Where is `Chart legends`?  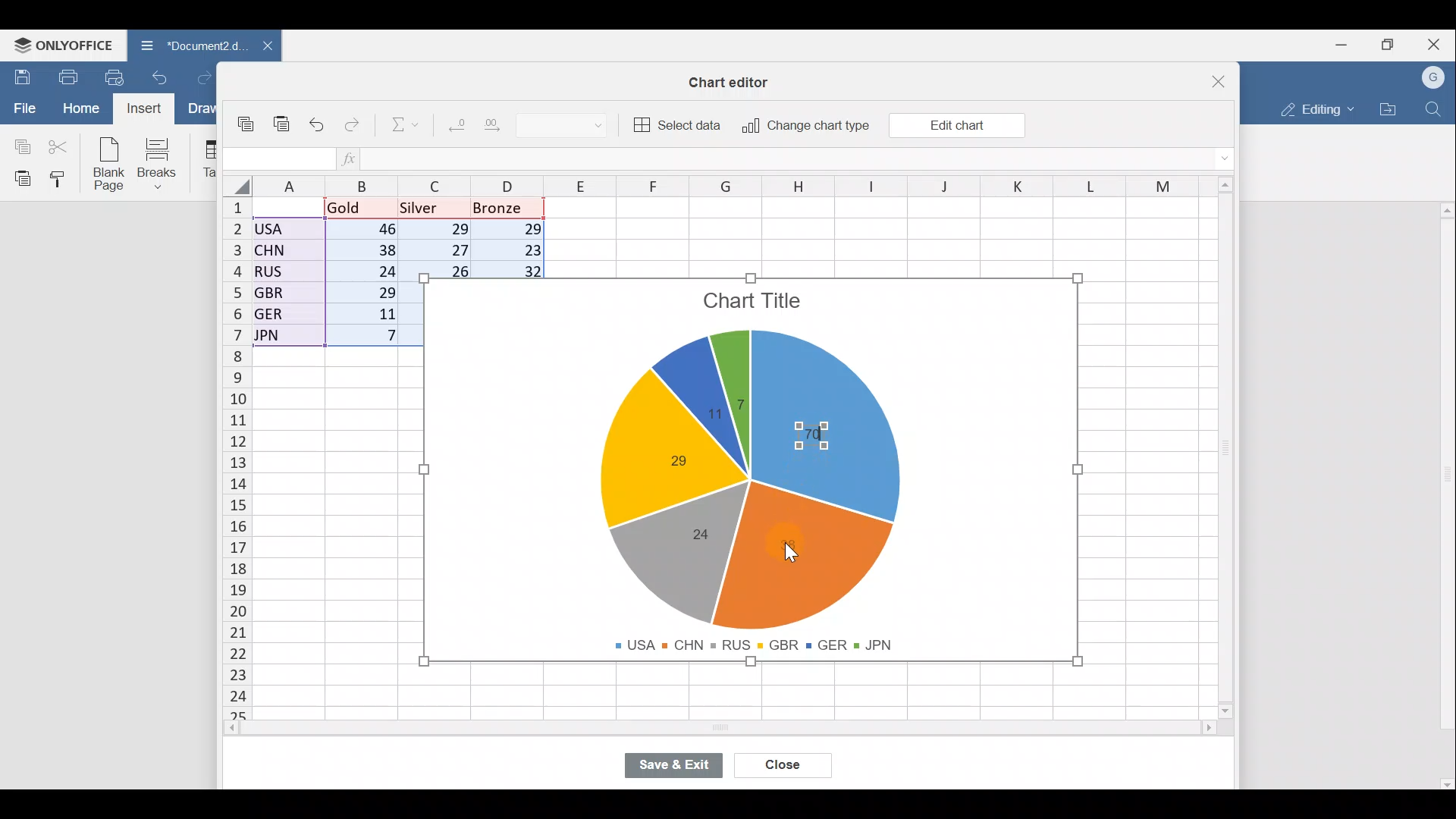 Chart legends is located at coordinates (761, 642).